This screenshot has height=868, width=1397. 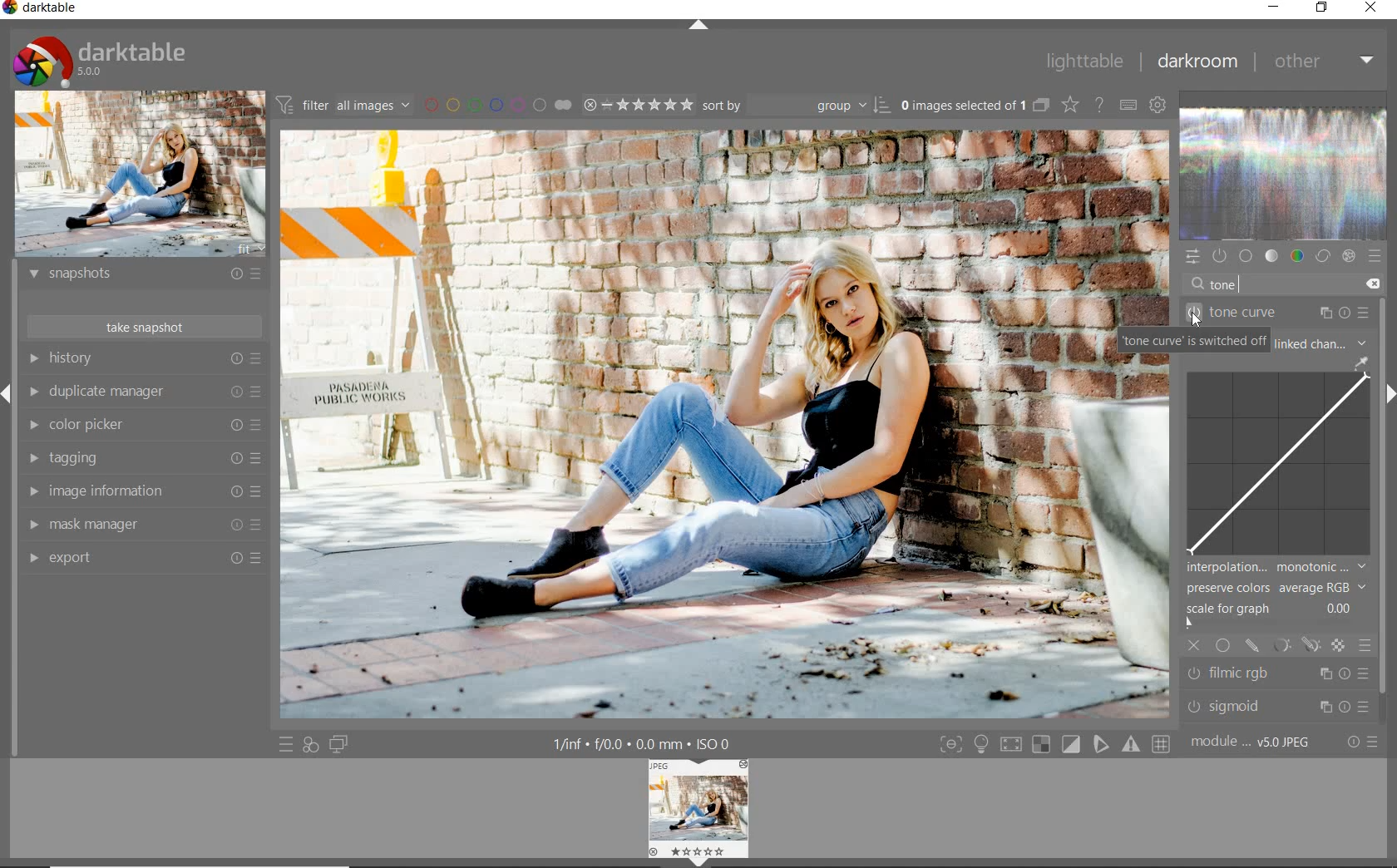 I want to click on tone curve, so click(x=1276, y=311).